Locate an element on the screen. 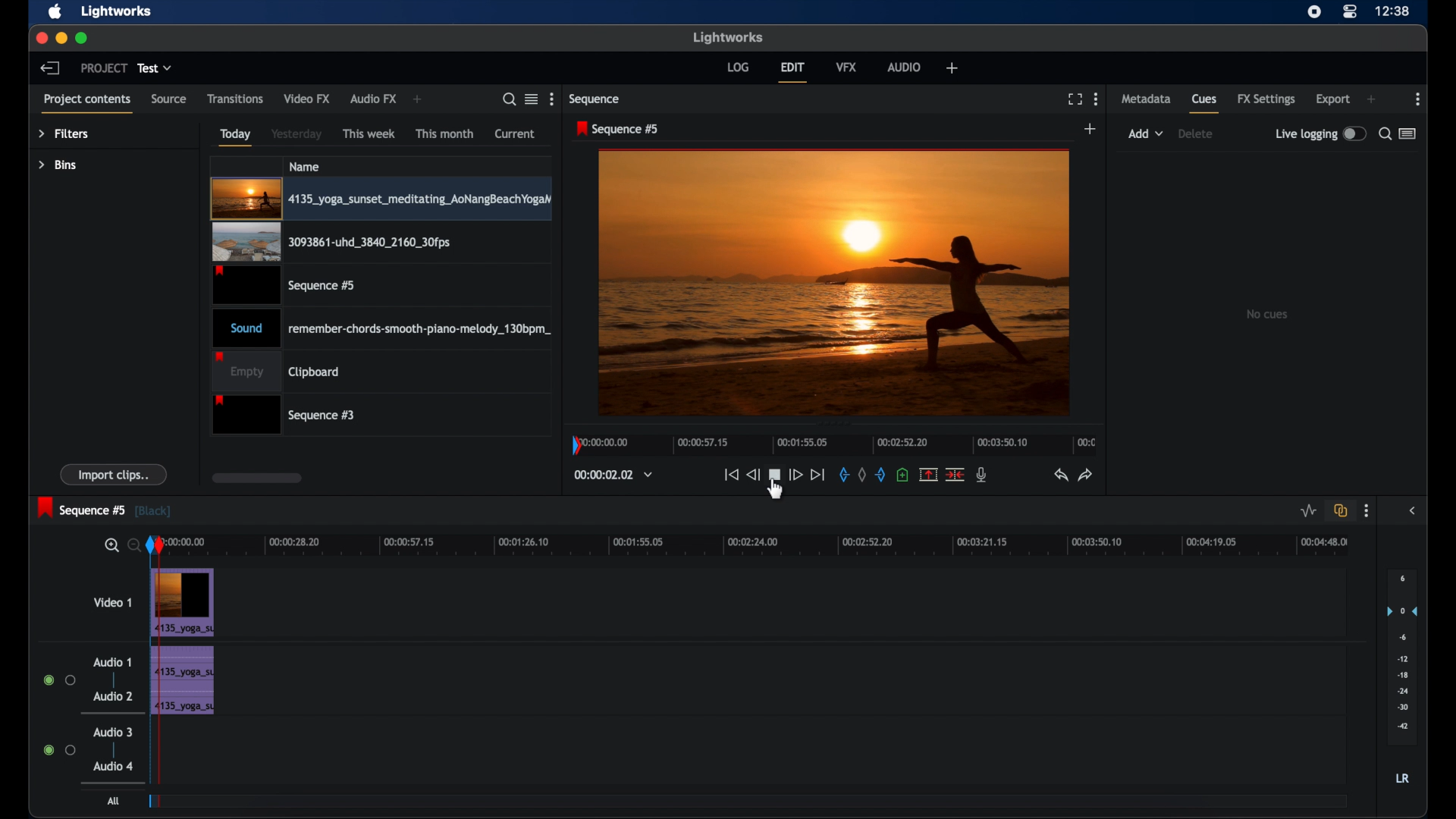  add is located at coordinates (1091, 128).